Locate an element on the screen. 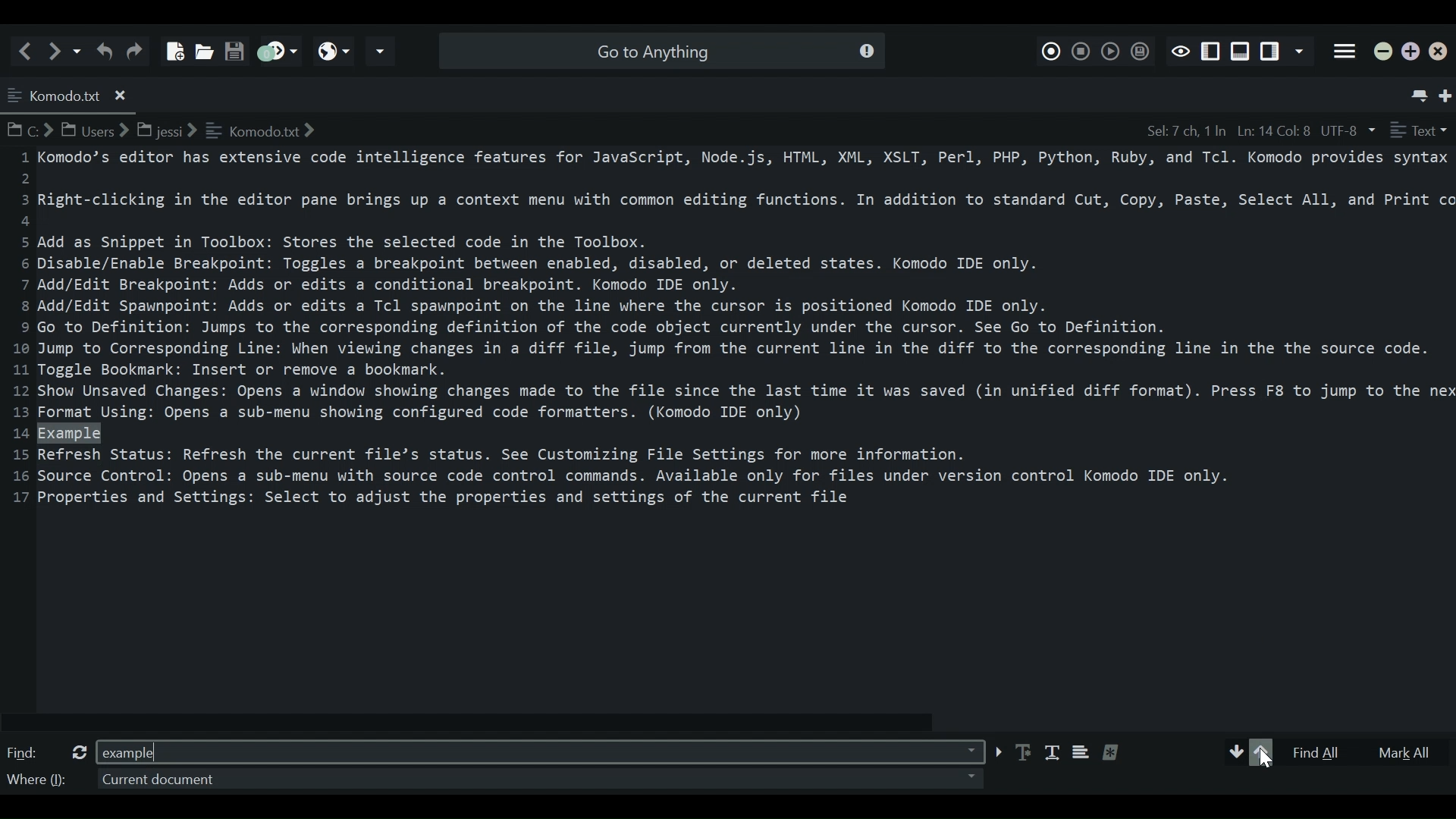 The width and height of the screenshot is (1456, 819). File Encoding is located at coordinates (1349, 130).